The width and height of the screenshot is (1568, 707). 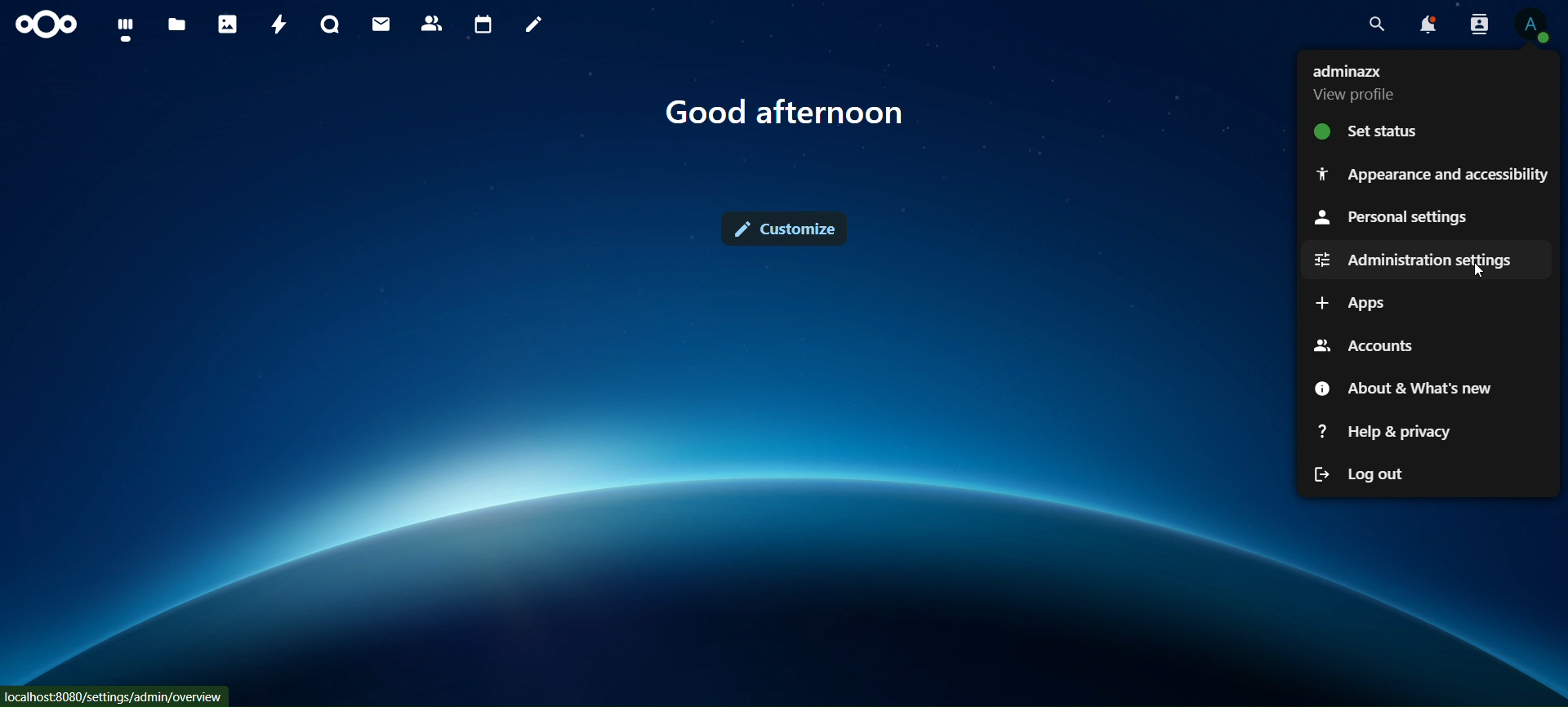 What do you see at coordinates (1361, 344) in the screenshot?
I see `accounts` at bounding box center [1361, 344].